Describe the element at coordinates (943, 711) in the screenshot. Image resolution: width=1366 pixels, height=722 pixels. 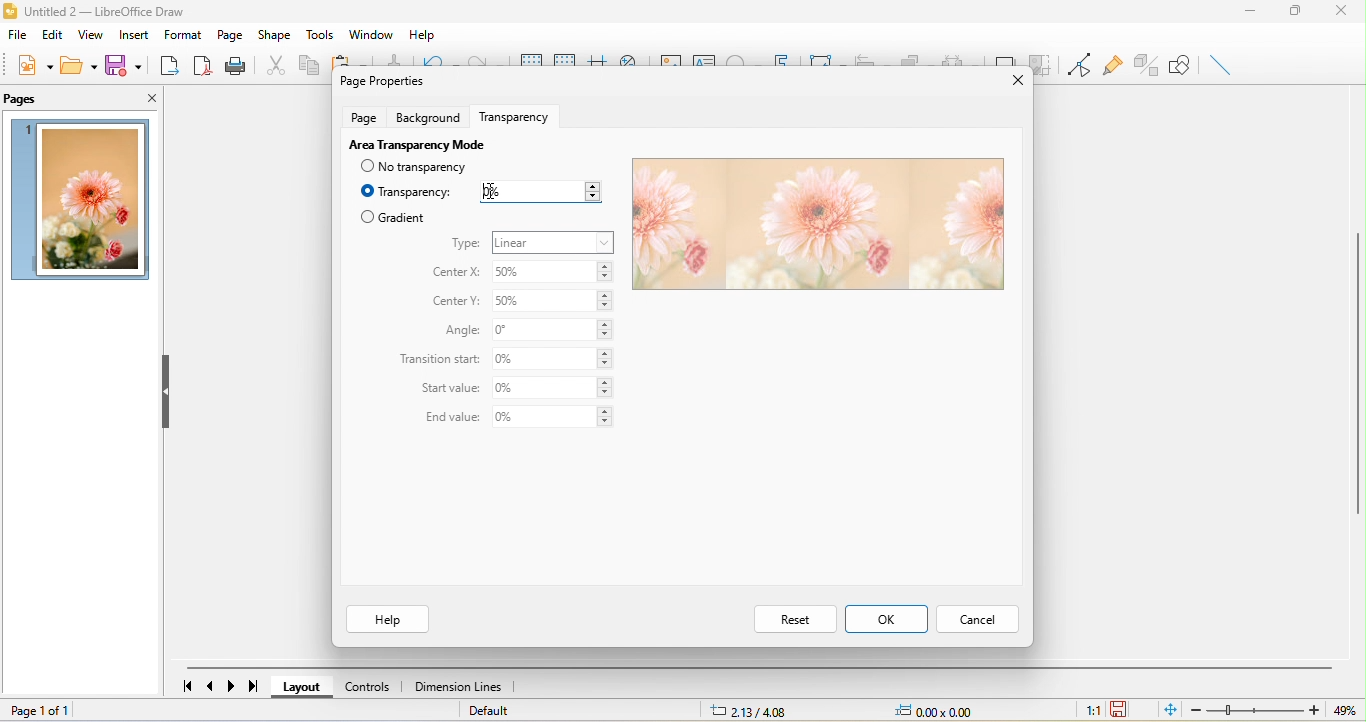
I see `0.00x0.00` at that location.